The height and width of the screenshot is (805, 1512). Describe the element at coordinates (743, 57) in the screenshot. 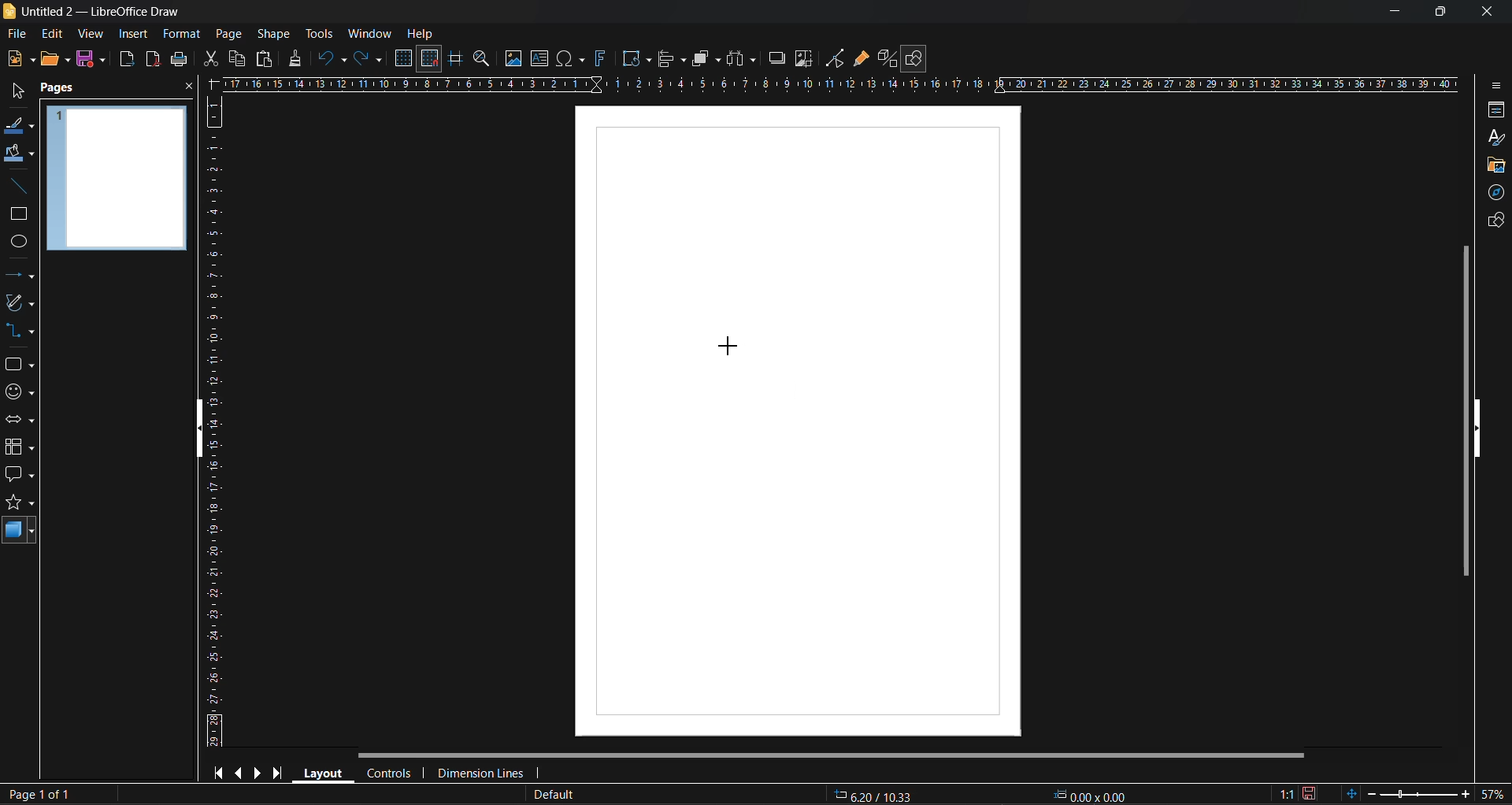

I see `distribute` at that location.